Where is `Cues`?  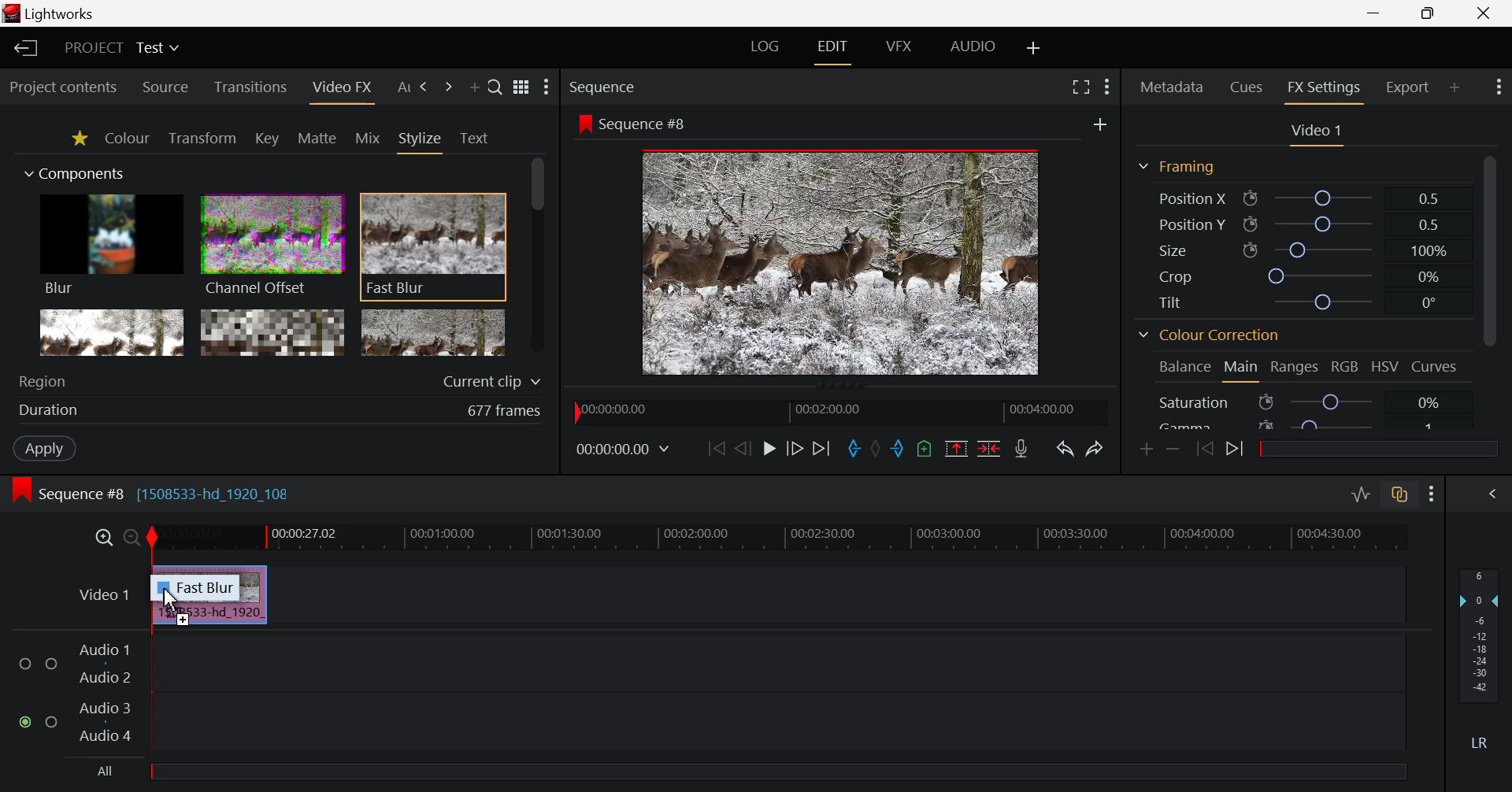
Cues is located at coordinates (1244, 87).